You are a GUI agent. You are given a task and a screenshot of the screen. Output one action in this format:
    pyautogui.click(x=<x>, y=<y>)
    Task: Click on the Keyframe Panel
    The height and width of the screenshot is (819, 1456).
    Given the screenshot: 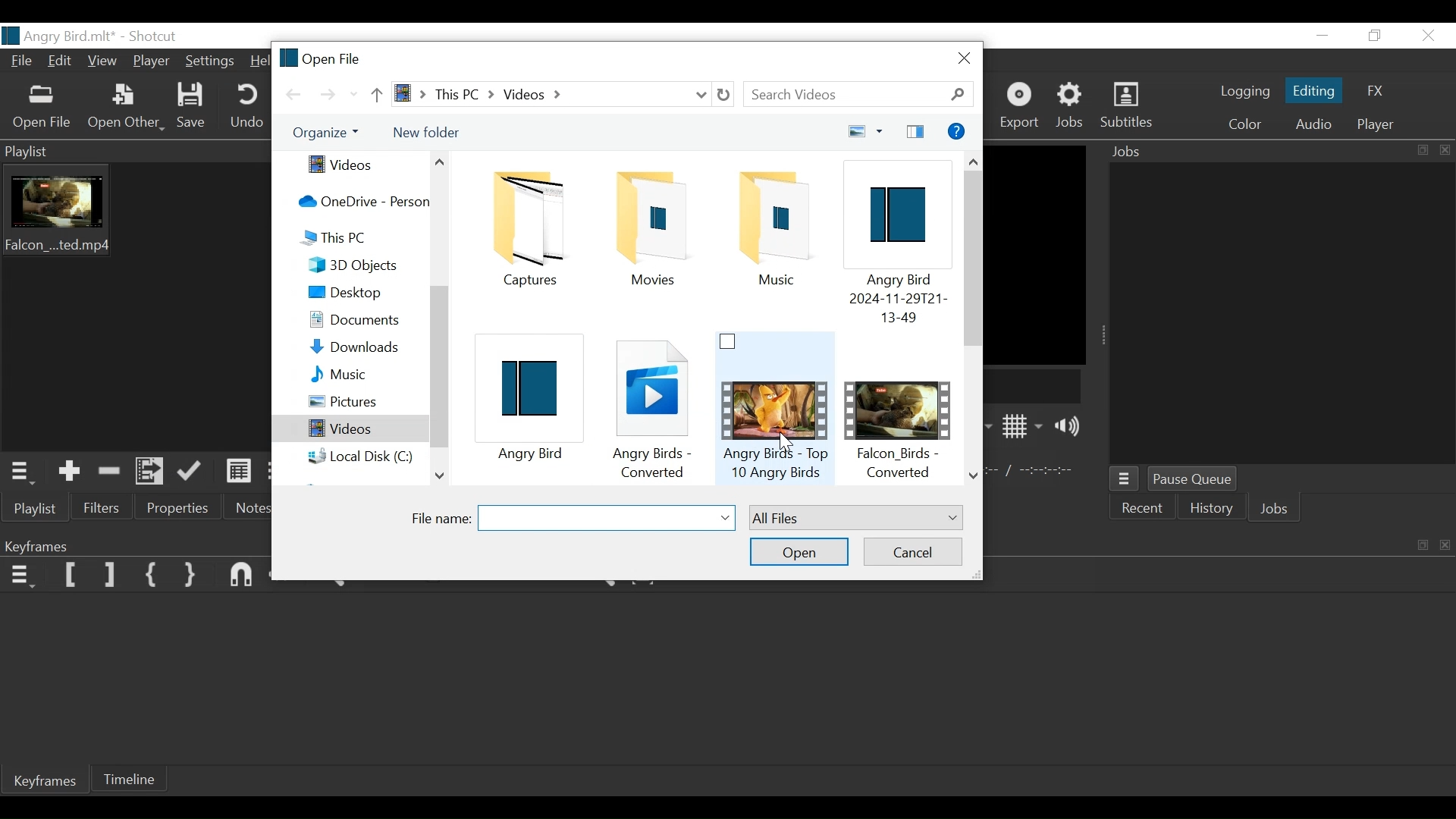 What is the action you would take?
    pyautogui.click(x=47, y=545)
    